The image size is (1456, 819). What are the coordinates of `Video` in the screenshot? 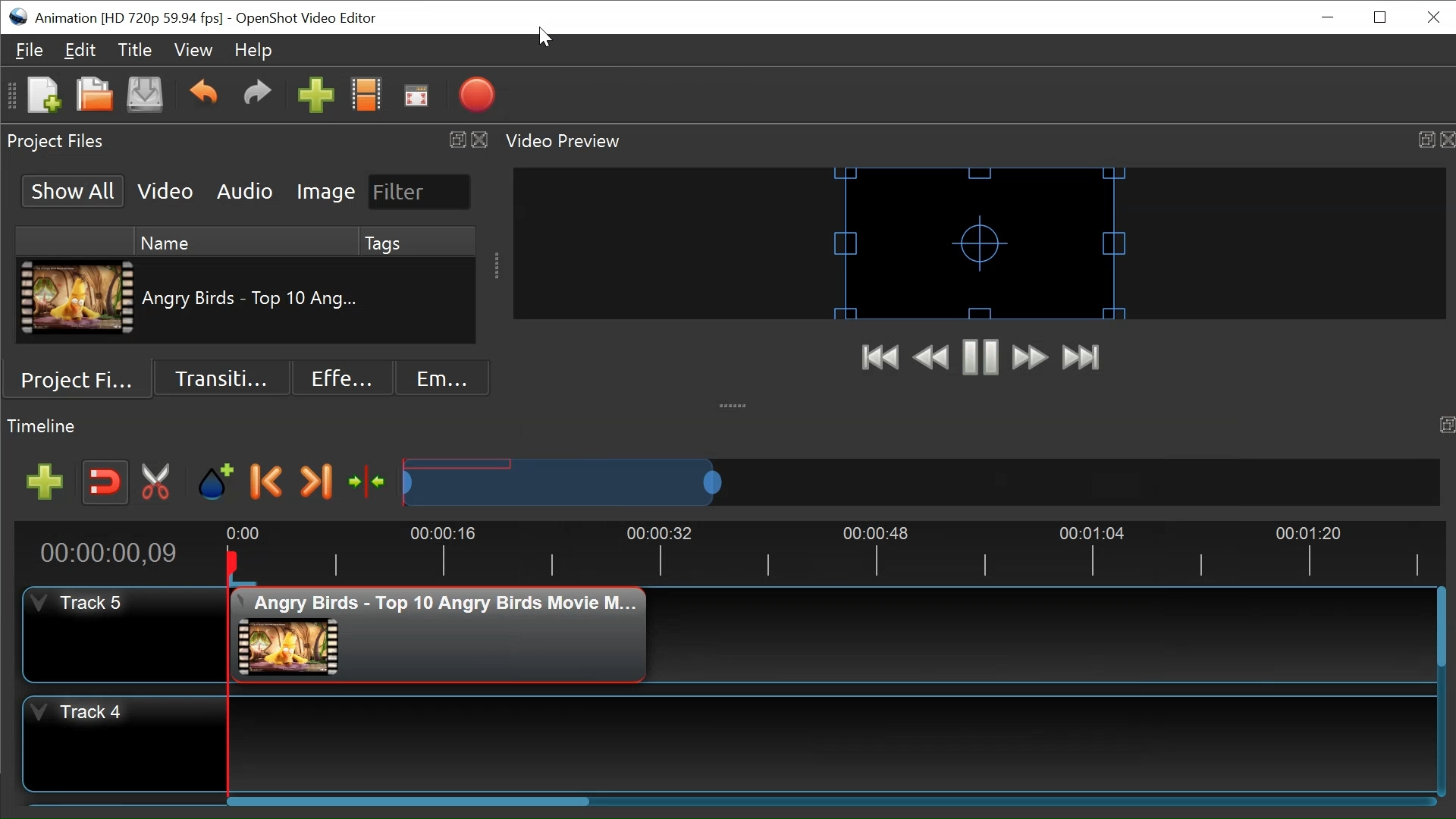 It's located at (165, 190).